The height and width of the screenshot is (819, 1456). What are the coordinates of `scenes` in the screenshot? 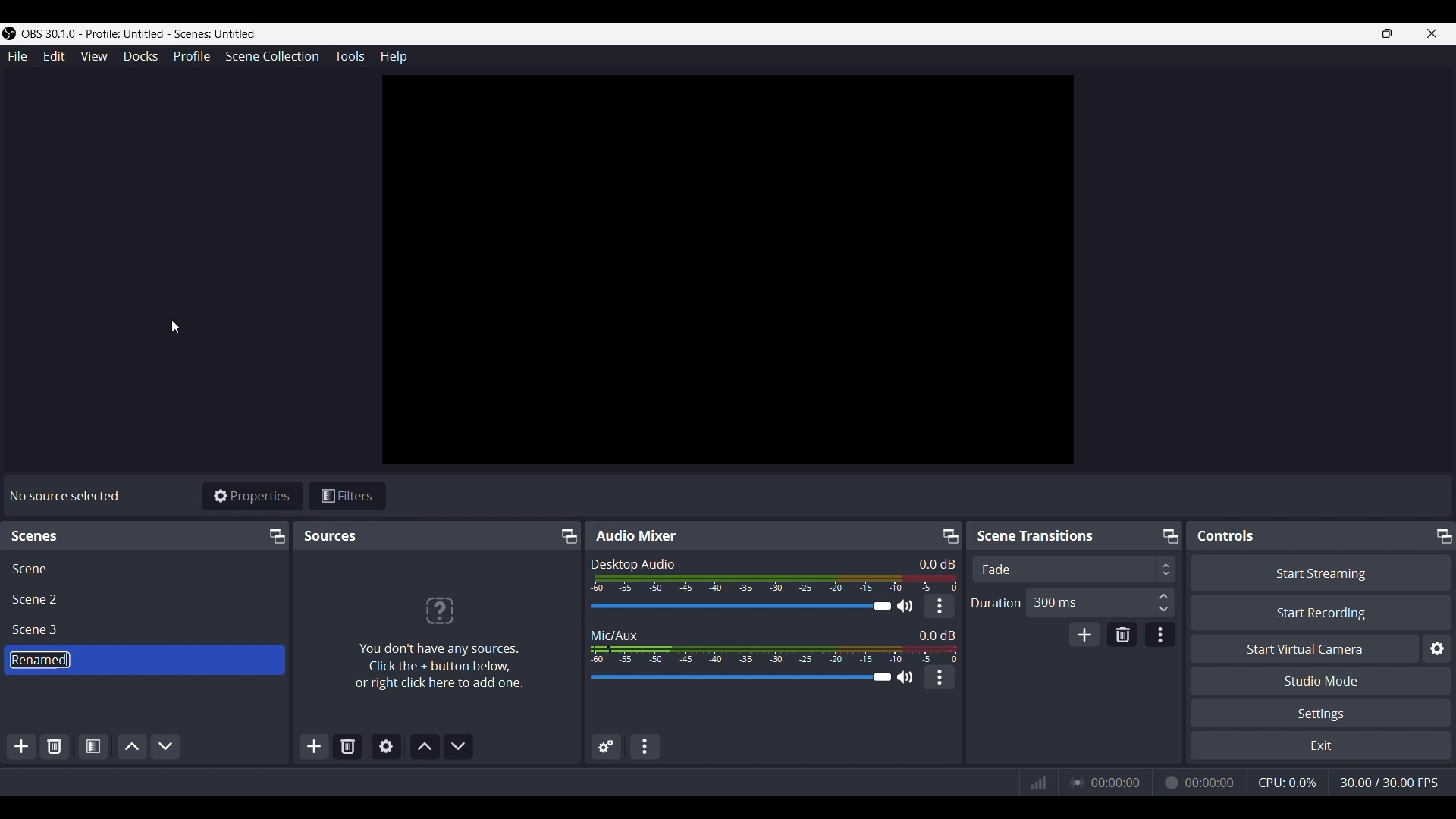 It's located at (36, 538).